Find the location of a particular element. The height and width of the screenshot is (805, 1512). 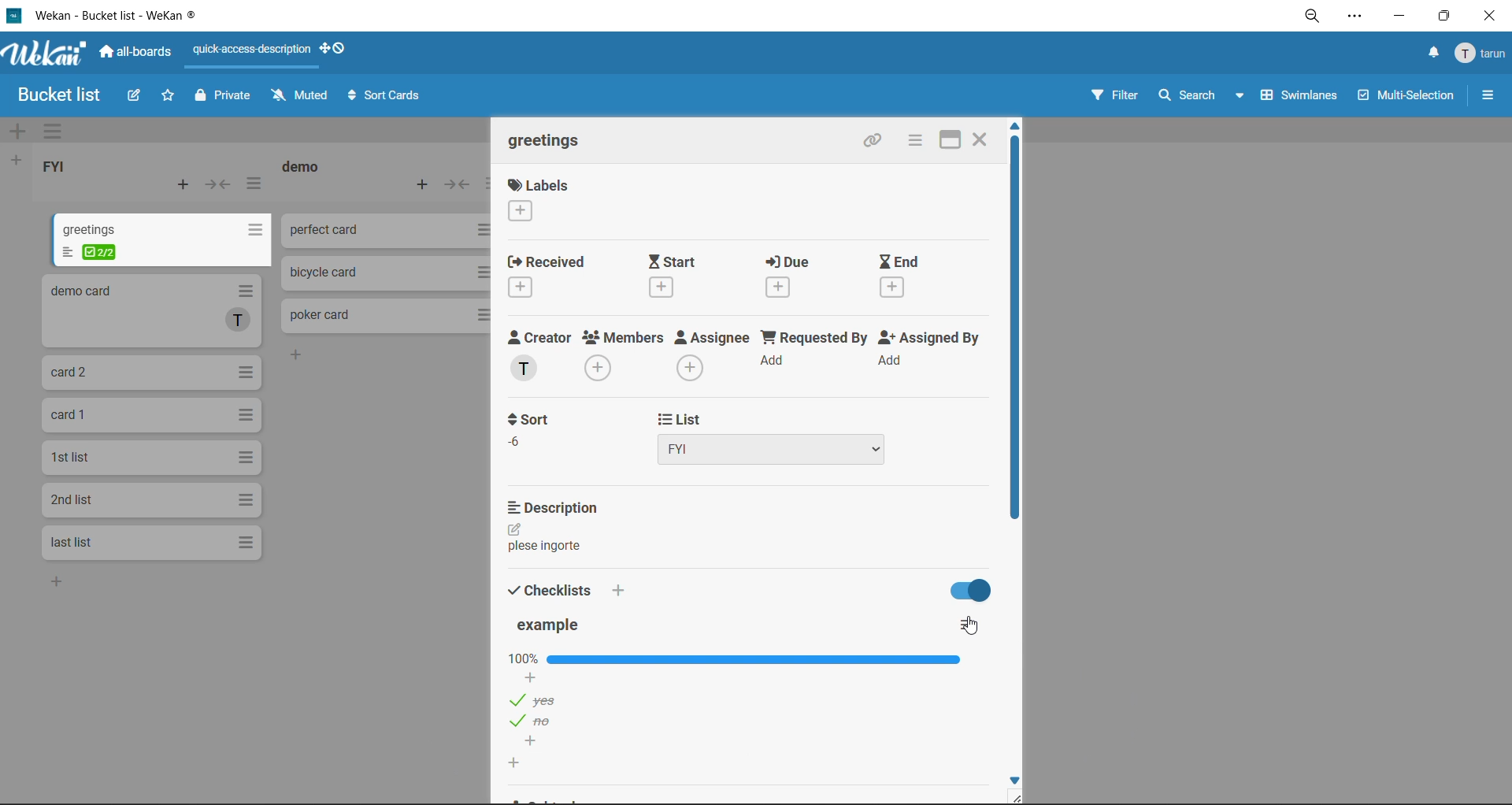

start is located at coordinates (673, 280).